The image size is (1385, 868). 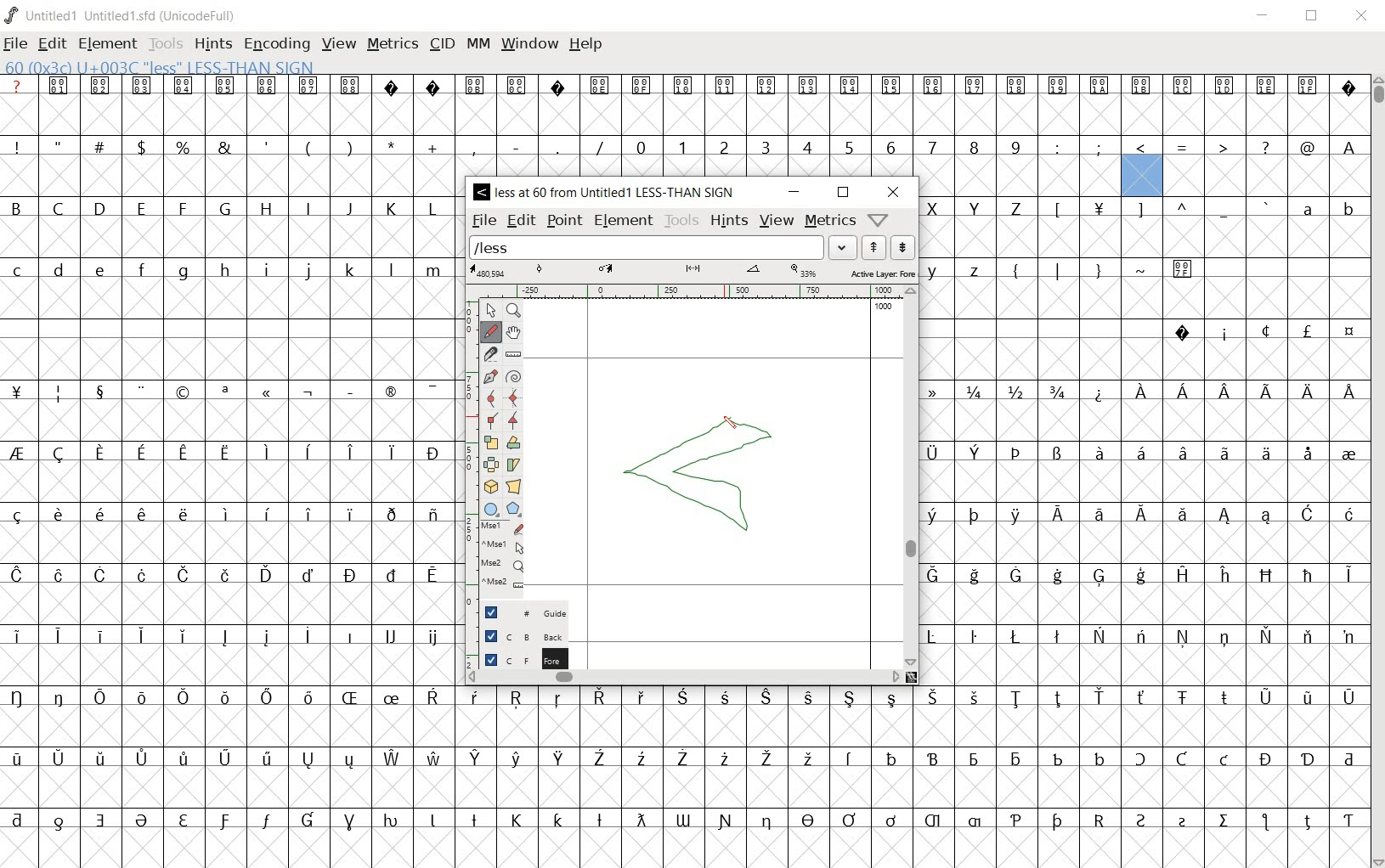 What do you see at coordinates (1263, 15) in the screenshot?
I see `minimize` at bounding box center [1263, 15].